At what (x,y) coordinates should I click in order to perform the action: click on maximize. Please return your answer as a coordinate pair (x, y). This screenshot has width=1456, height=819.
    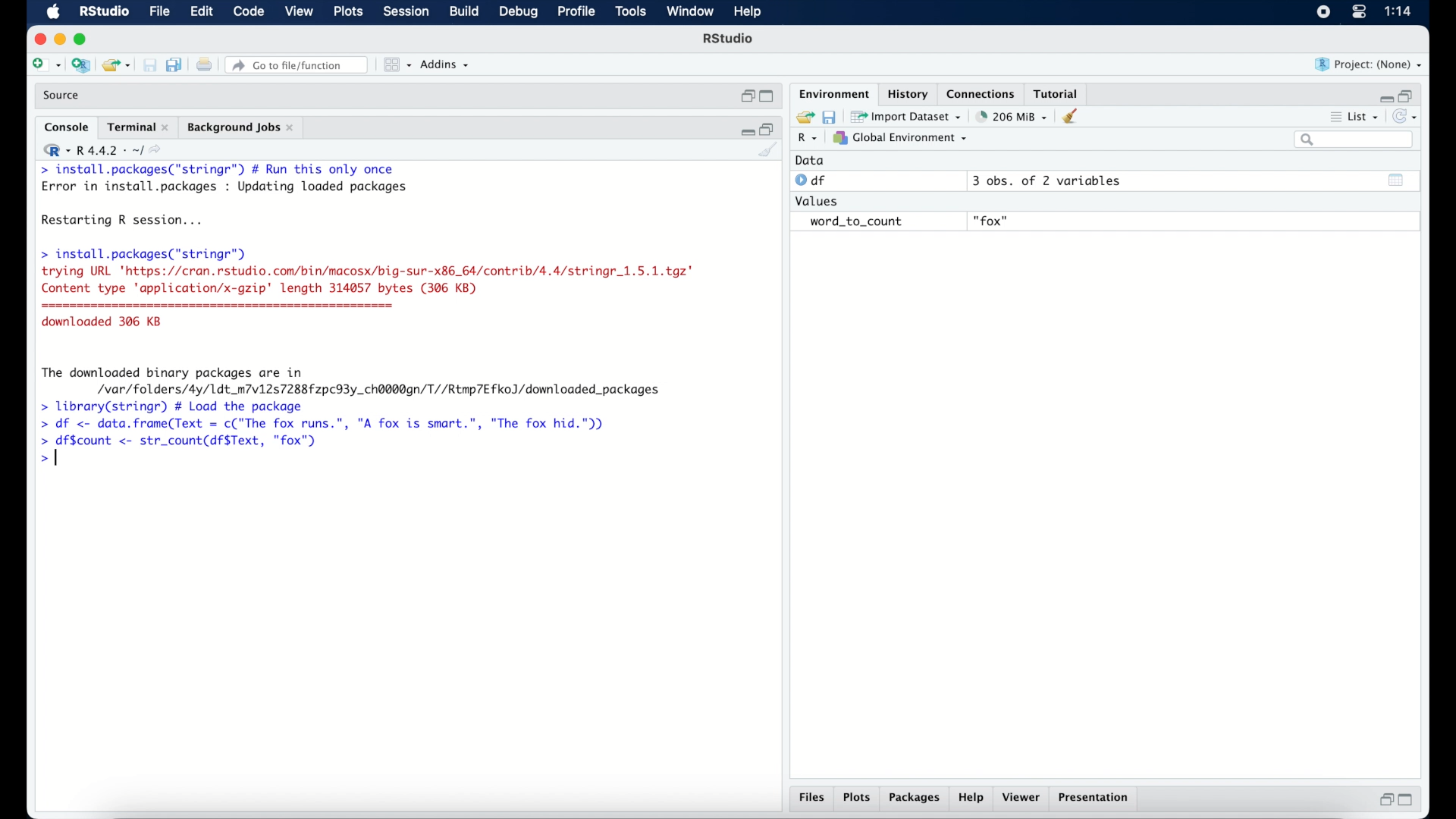
    Looking at the image, I should click on (769, 97).